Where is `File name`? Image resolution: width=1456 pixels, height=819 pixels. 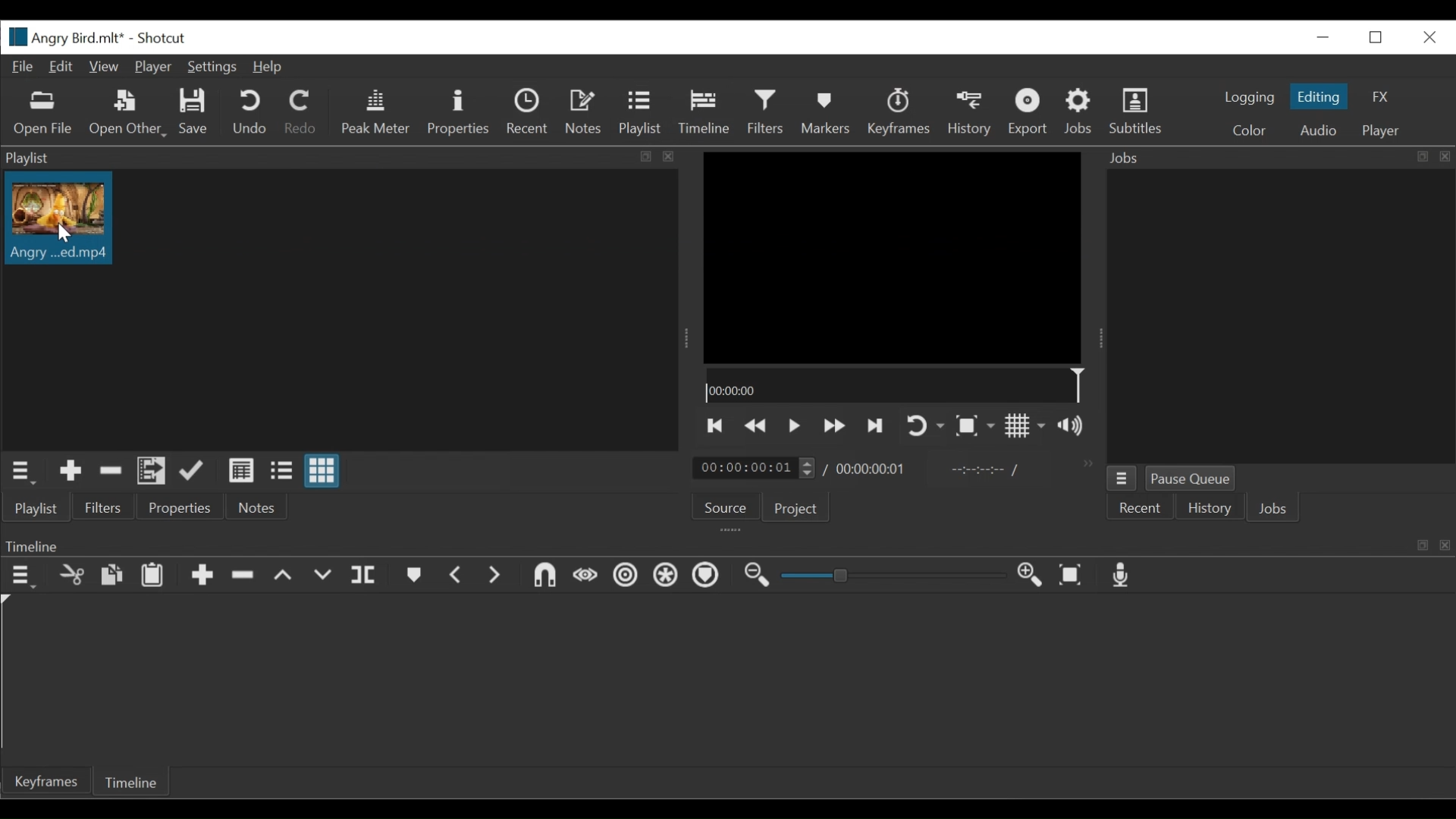
File name is located at coordinates (64, 37).